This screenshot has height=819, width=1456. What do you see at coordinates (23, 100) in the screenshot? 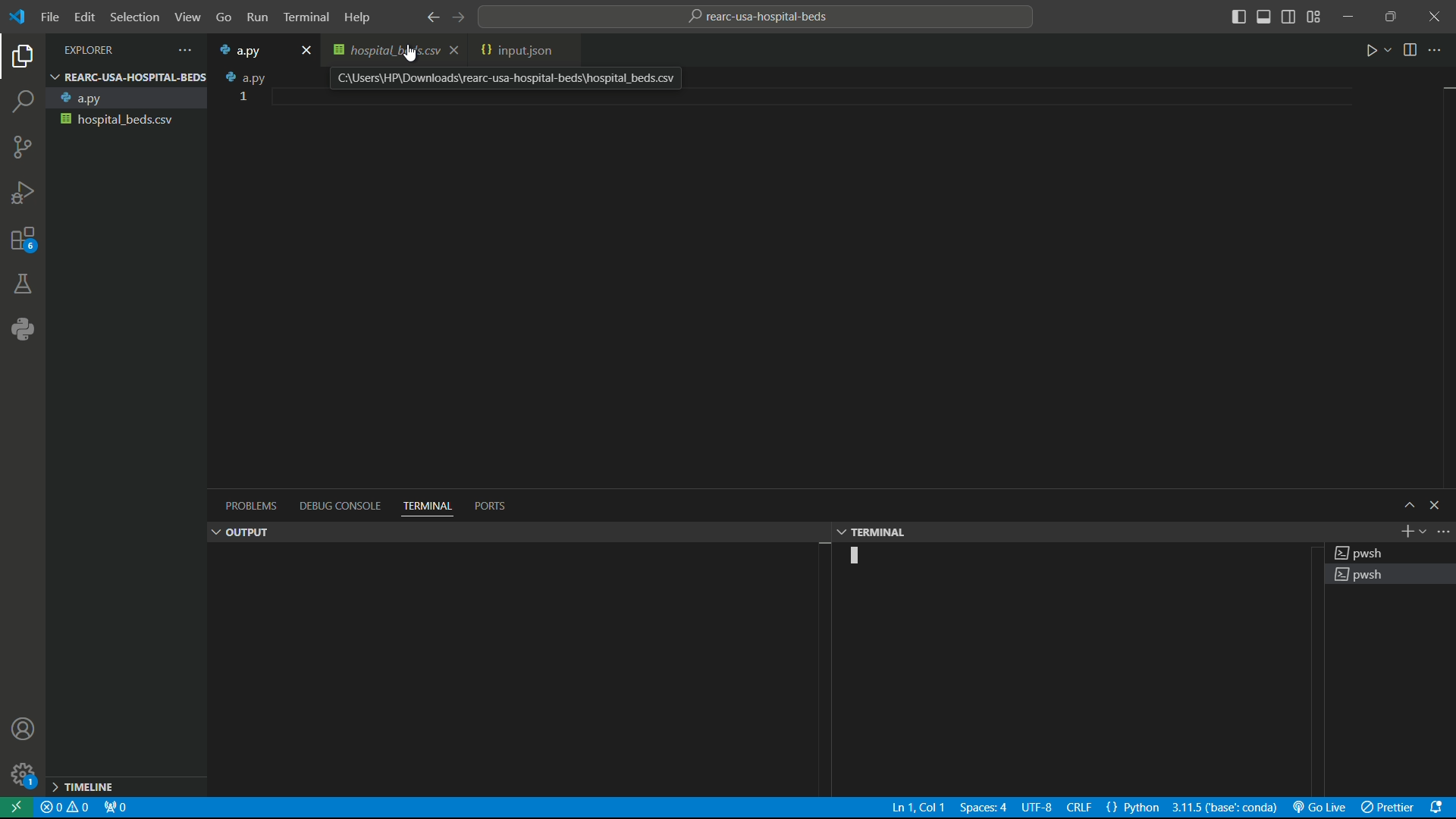
I see `search` at bounding box center [23, 100].